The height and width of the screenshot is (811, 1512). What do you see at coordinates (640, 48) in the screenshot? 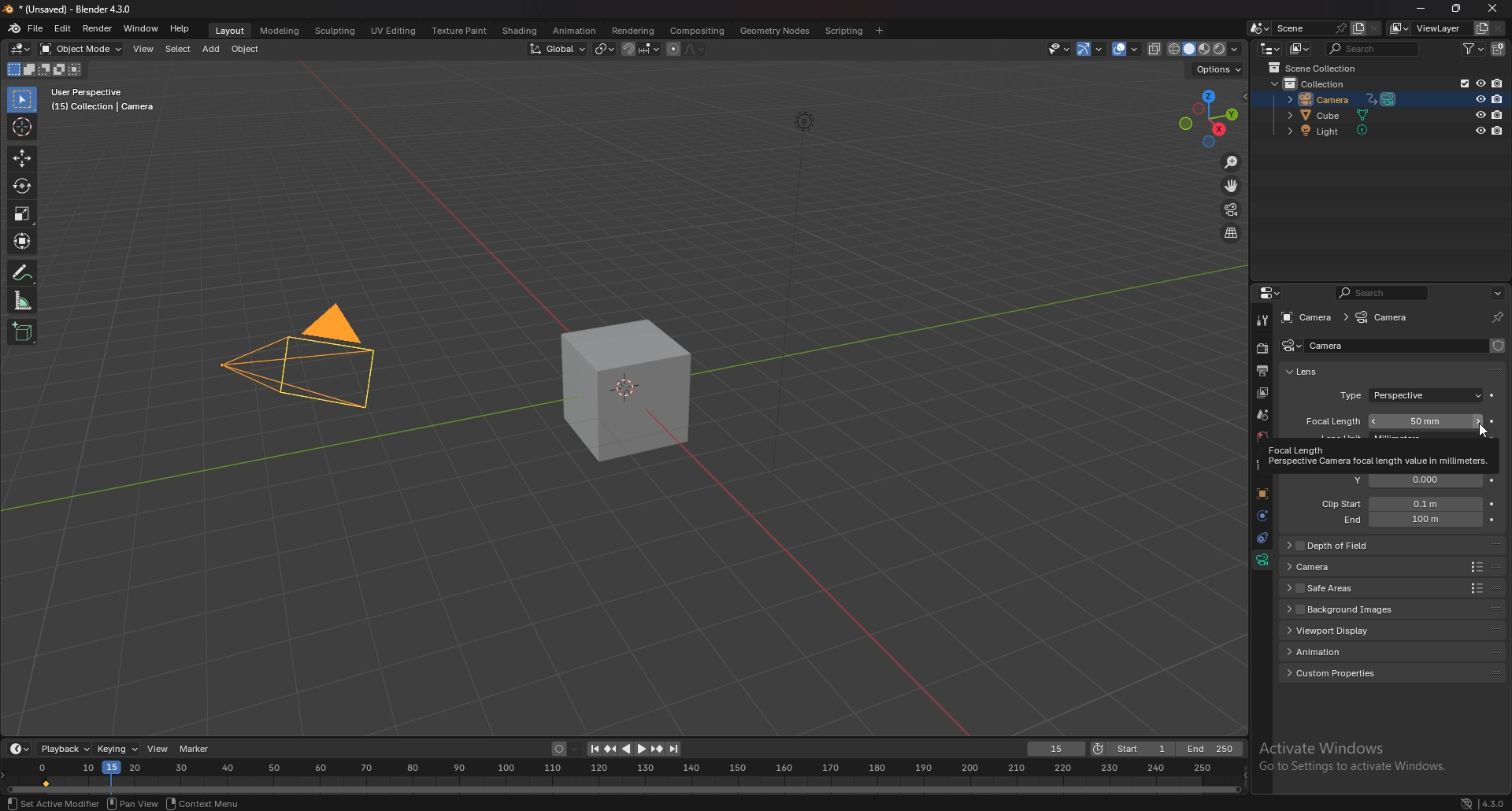
I see `snapping` at bounding box center [640, 48].